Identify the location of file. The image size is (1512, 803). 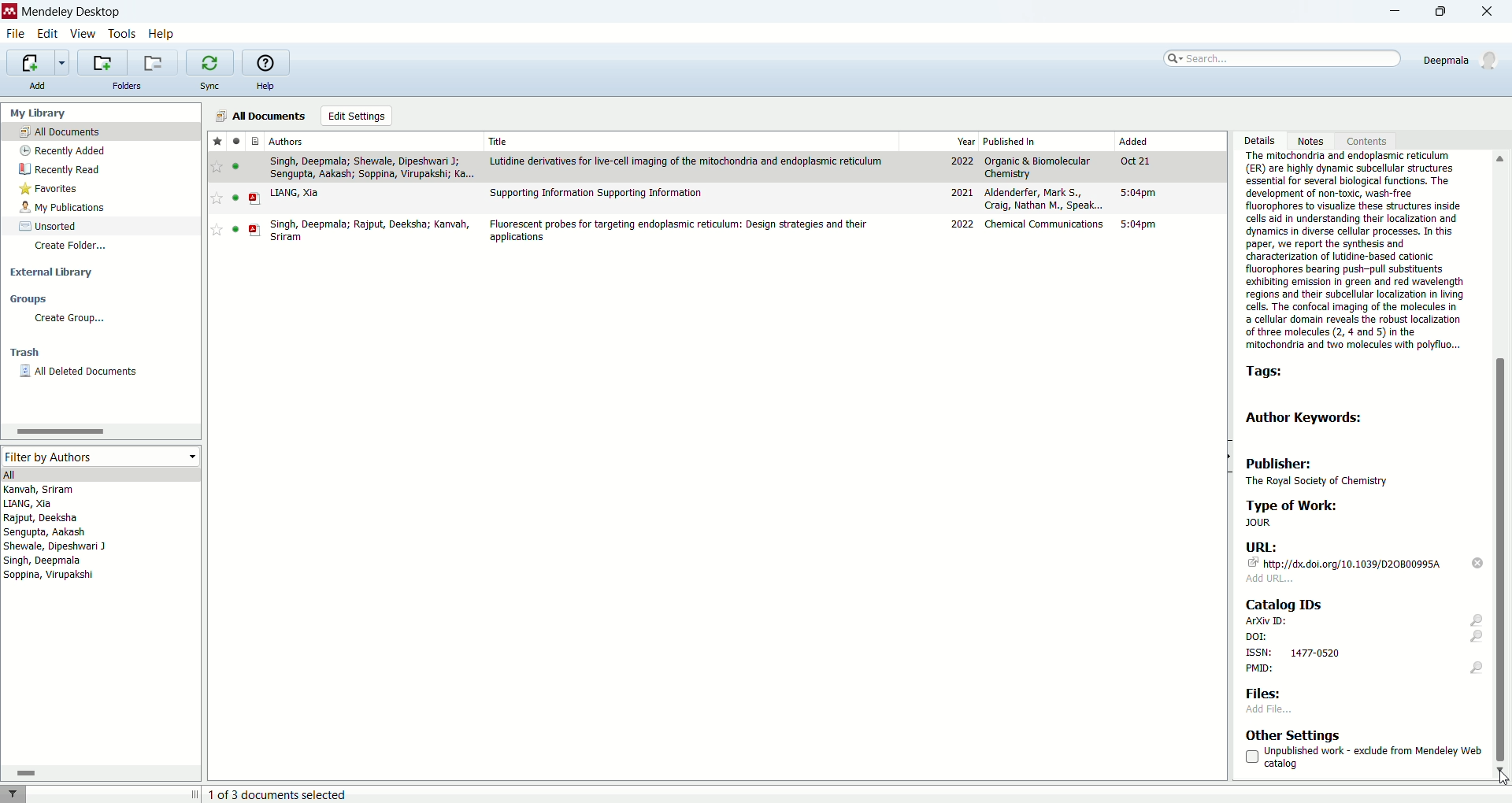
(16, 35).